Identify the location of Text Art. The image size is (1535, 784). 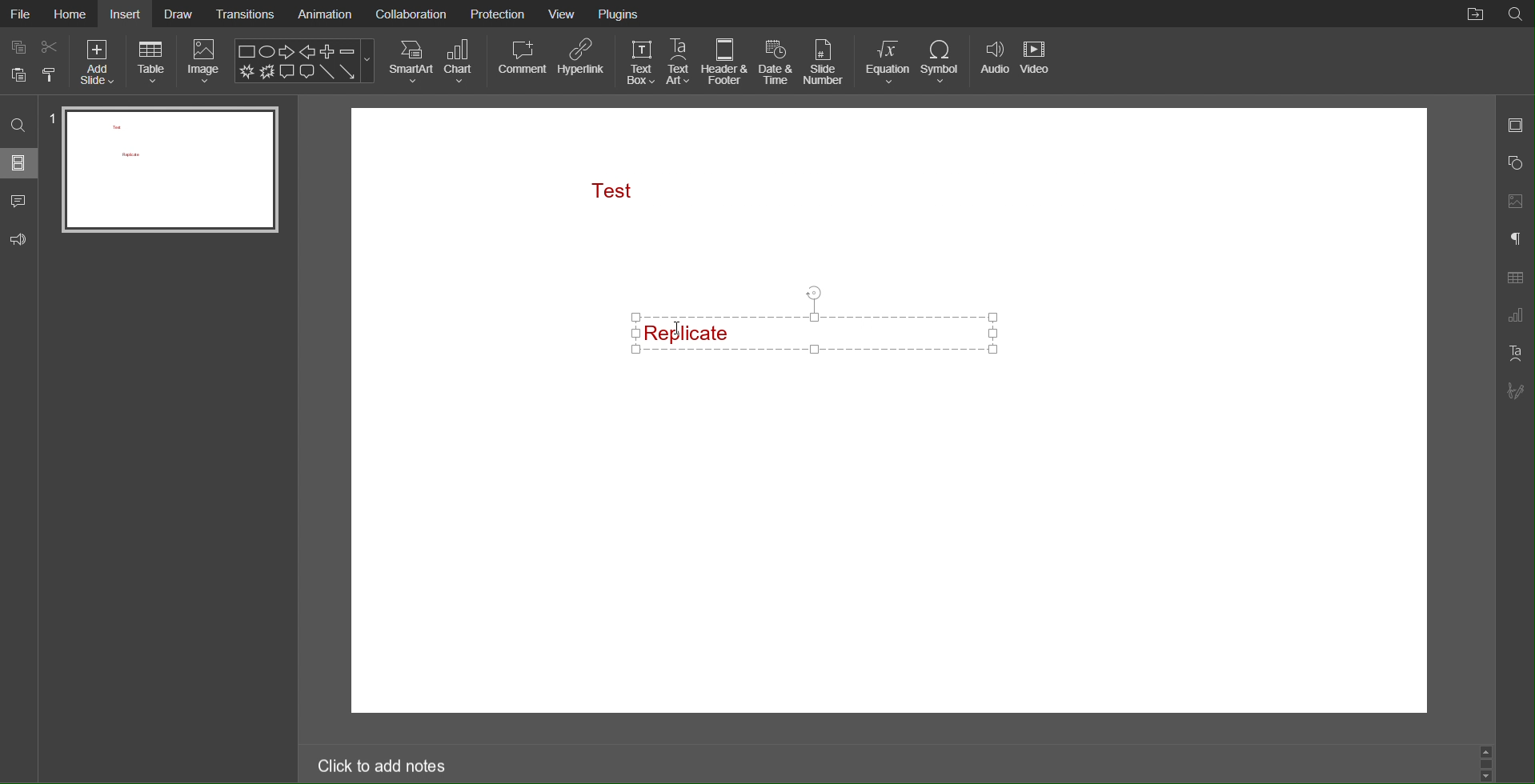
(1513, 354).